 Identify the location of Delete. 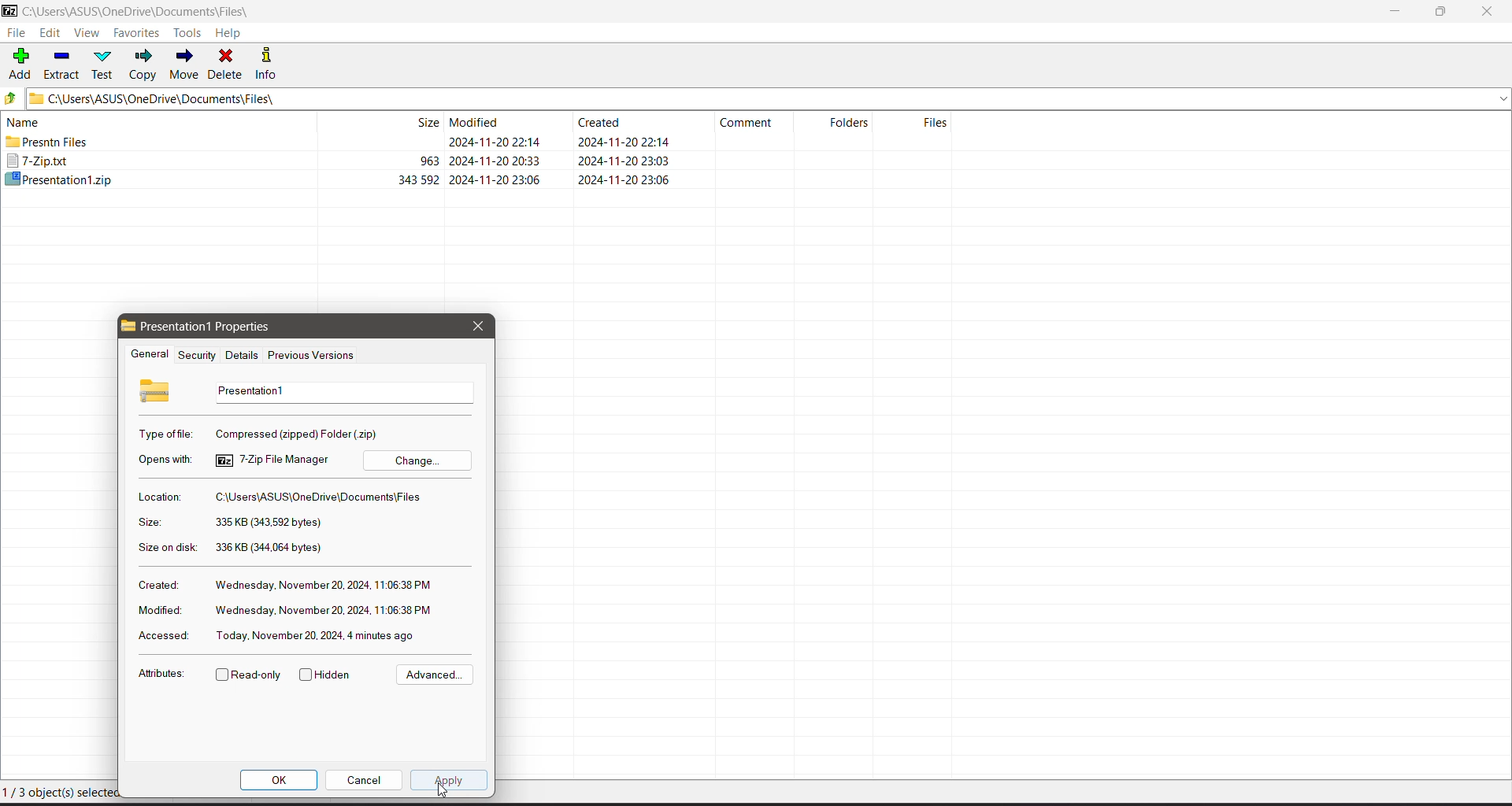
(227, 63).